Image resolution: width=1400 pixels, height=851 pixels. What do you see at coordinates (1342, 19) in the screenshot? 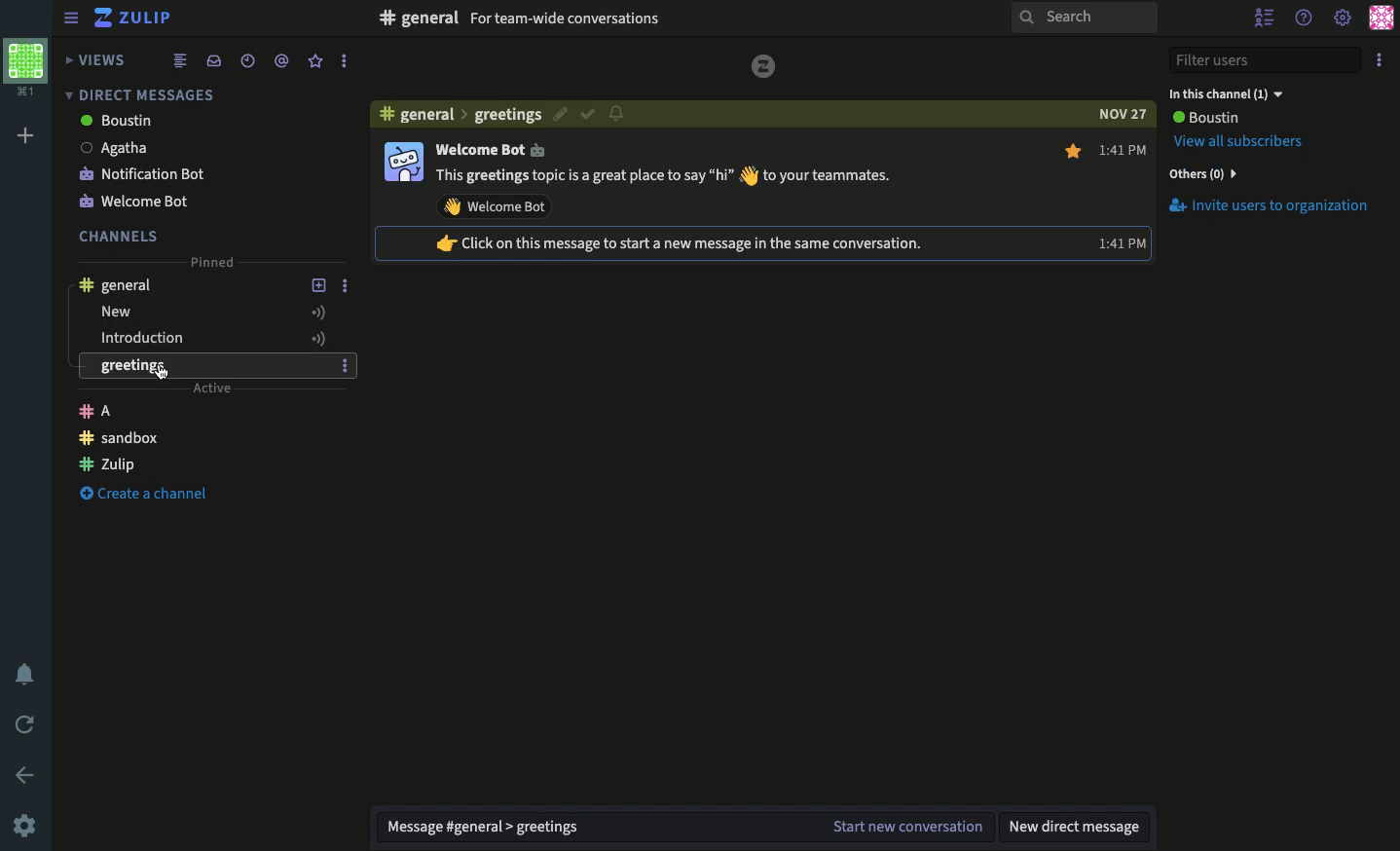
I see `Settings ` at bounding box center [1342, 19].